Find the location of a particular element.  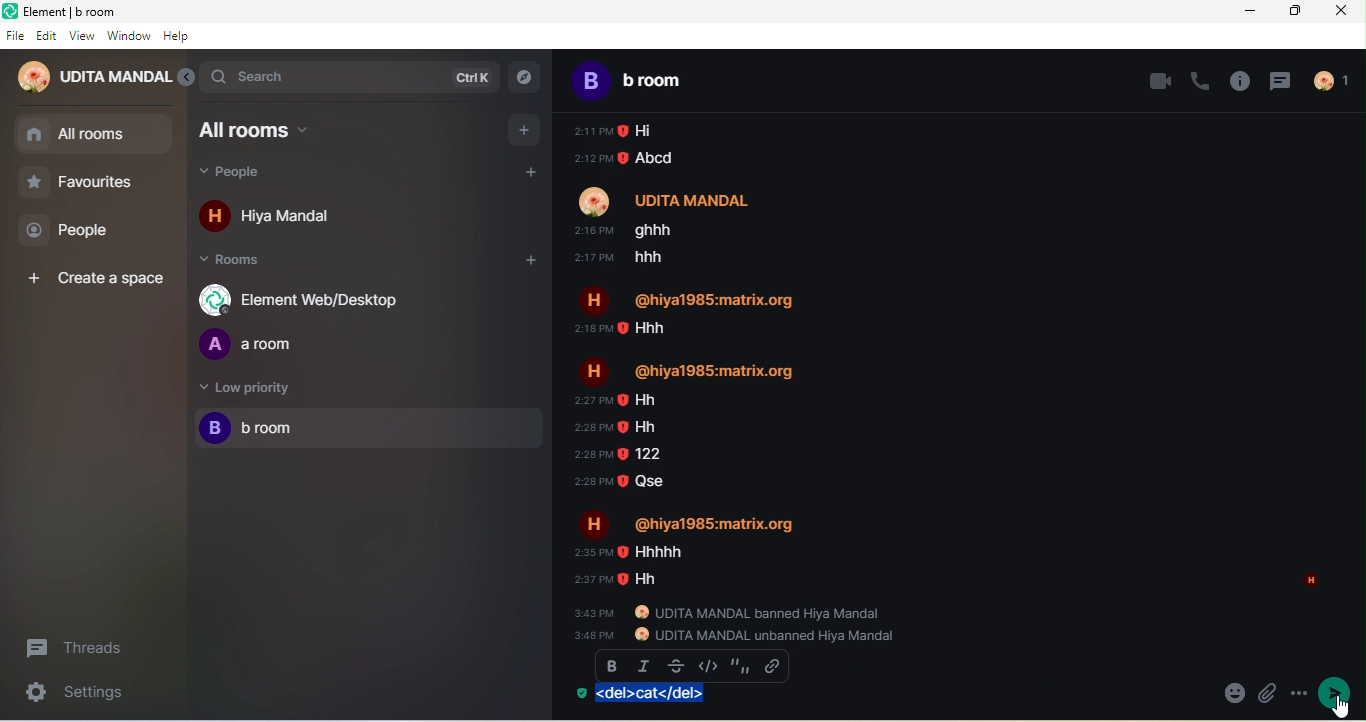

maximize is located at coordinates (1300, 12).